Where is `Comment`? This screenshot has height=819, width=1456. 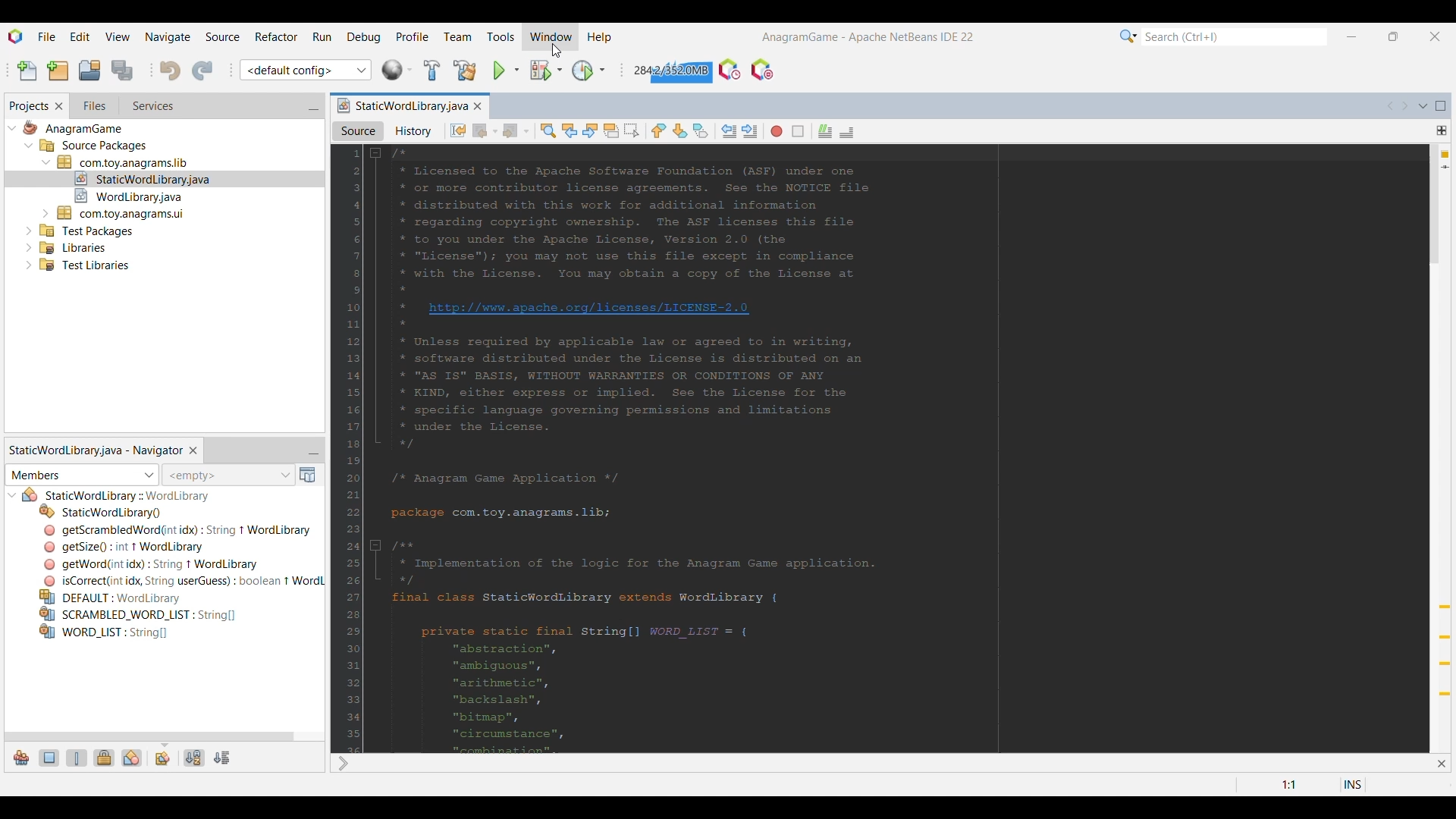
Comment is located at coordinates (825, 131).